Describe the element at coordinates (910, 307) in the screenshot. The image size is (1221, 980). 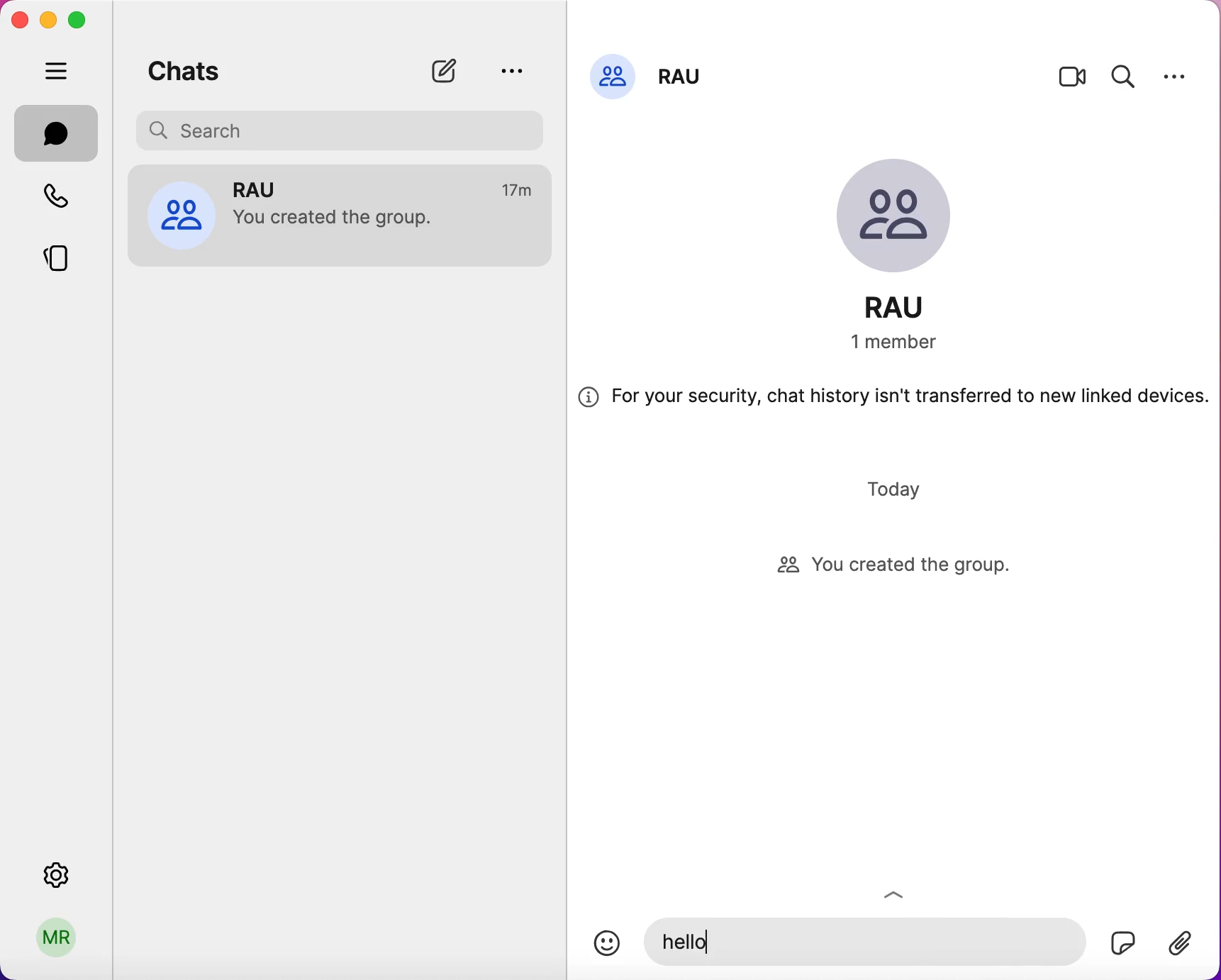
I see `group name` at that location.